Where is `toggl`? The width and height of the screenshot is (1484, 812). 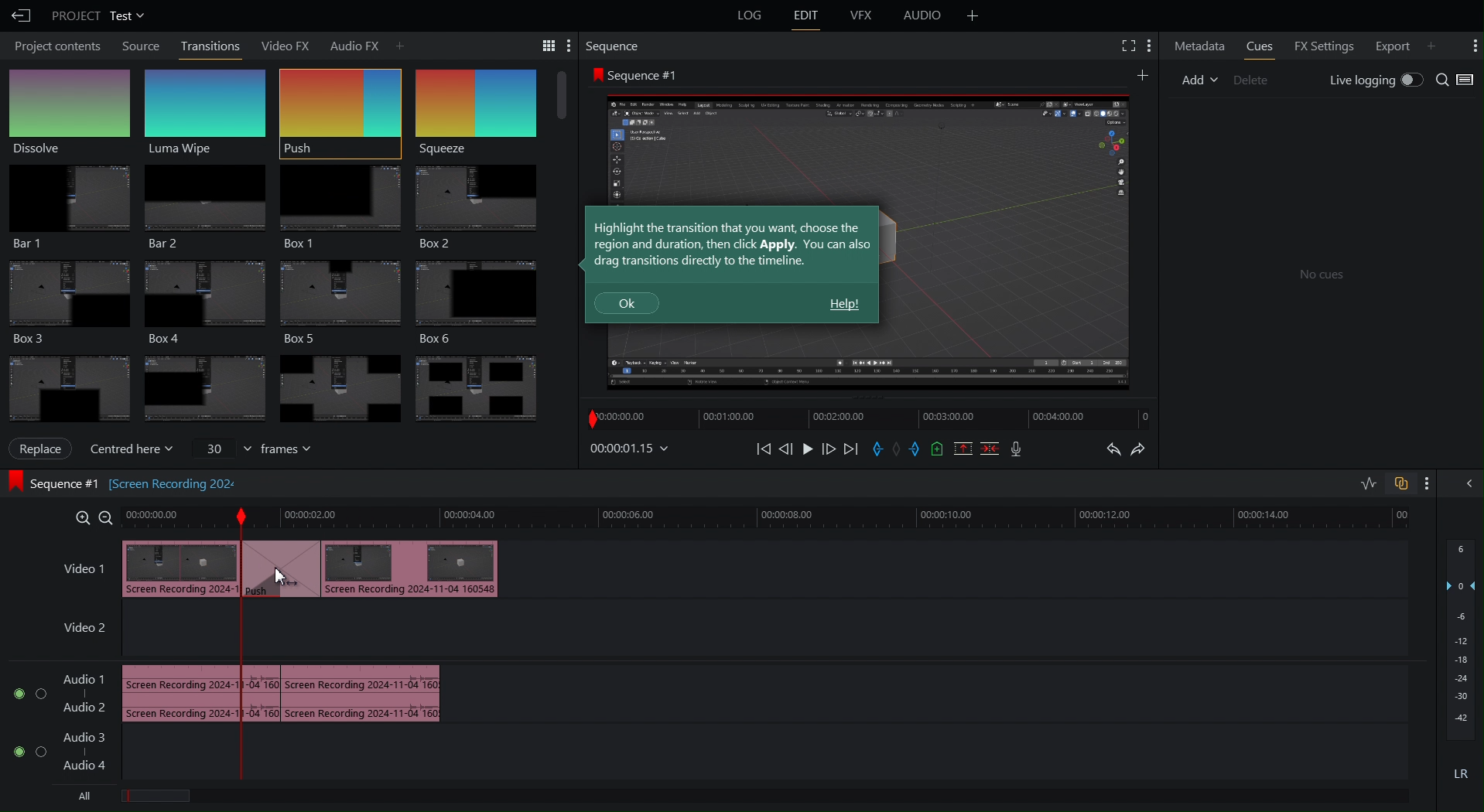 toggl is located at coordinates (40, 697).